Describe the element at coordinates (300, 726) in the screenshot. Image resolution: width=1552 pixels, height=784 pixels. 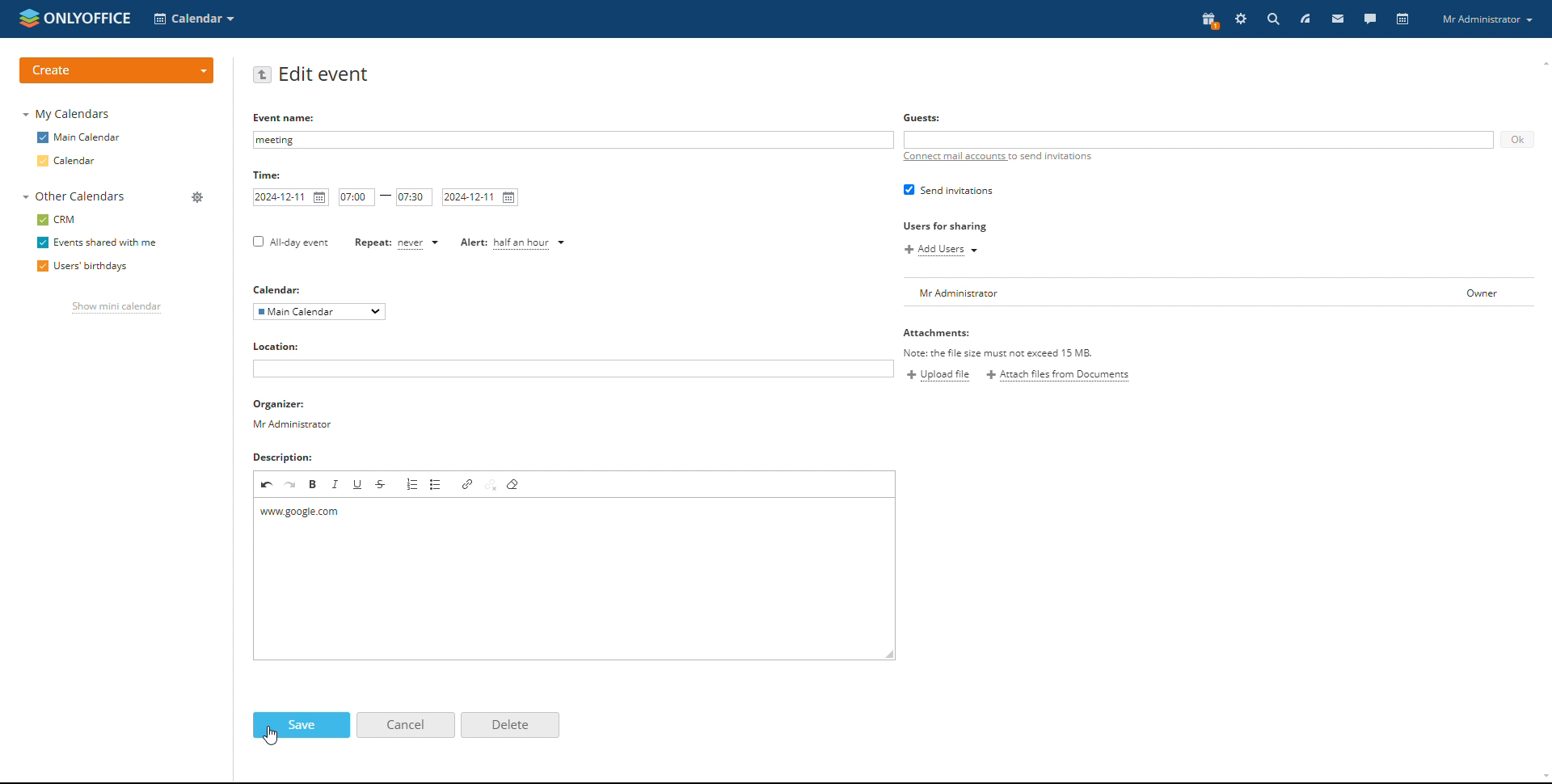
I see `save` at that location.